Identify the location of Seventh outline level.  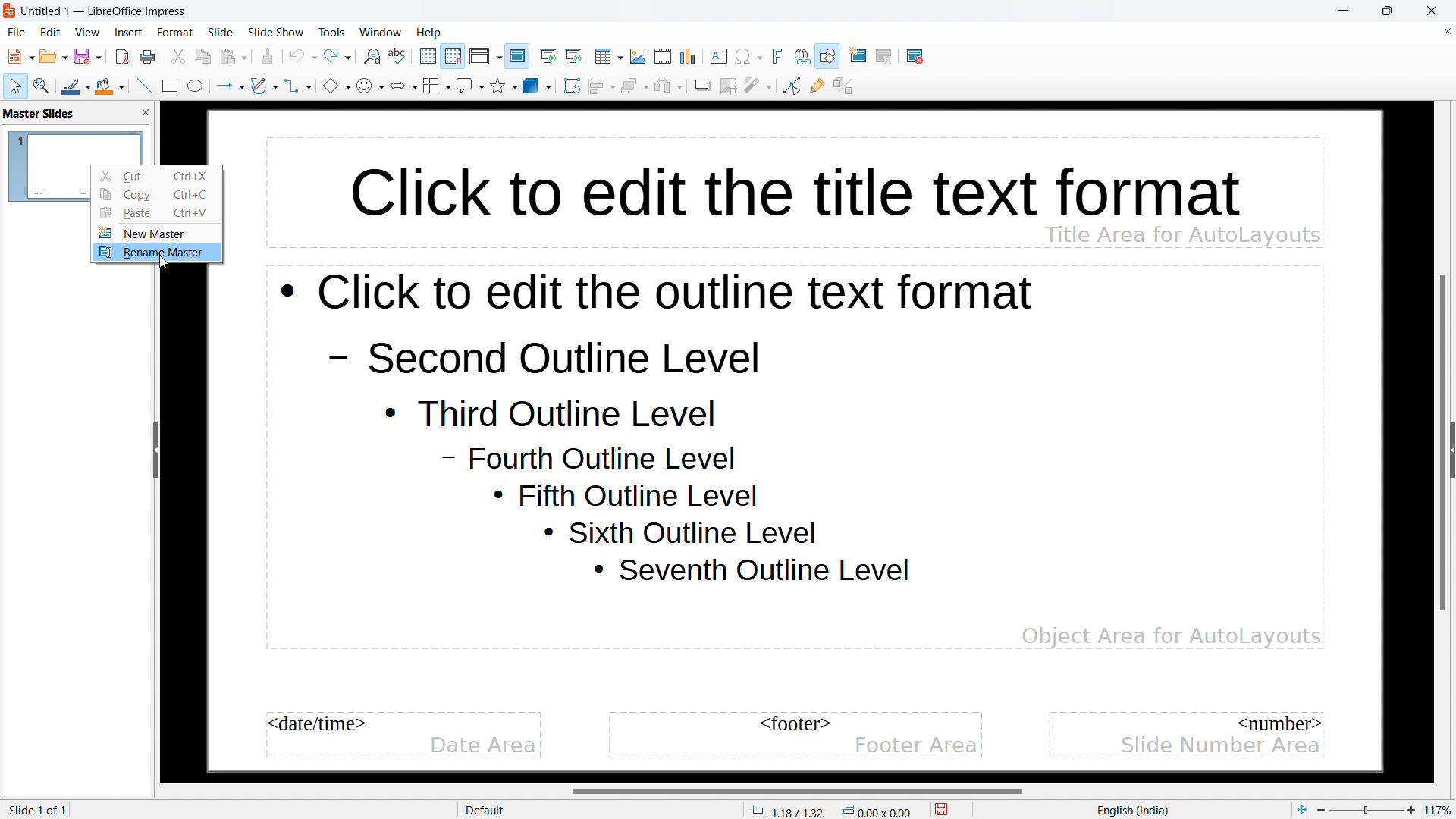
(752, 573).